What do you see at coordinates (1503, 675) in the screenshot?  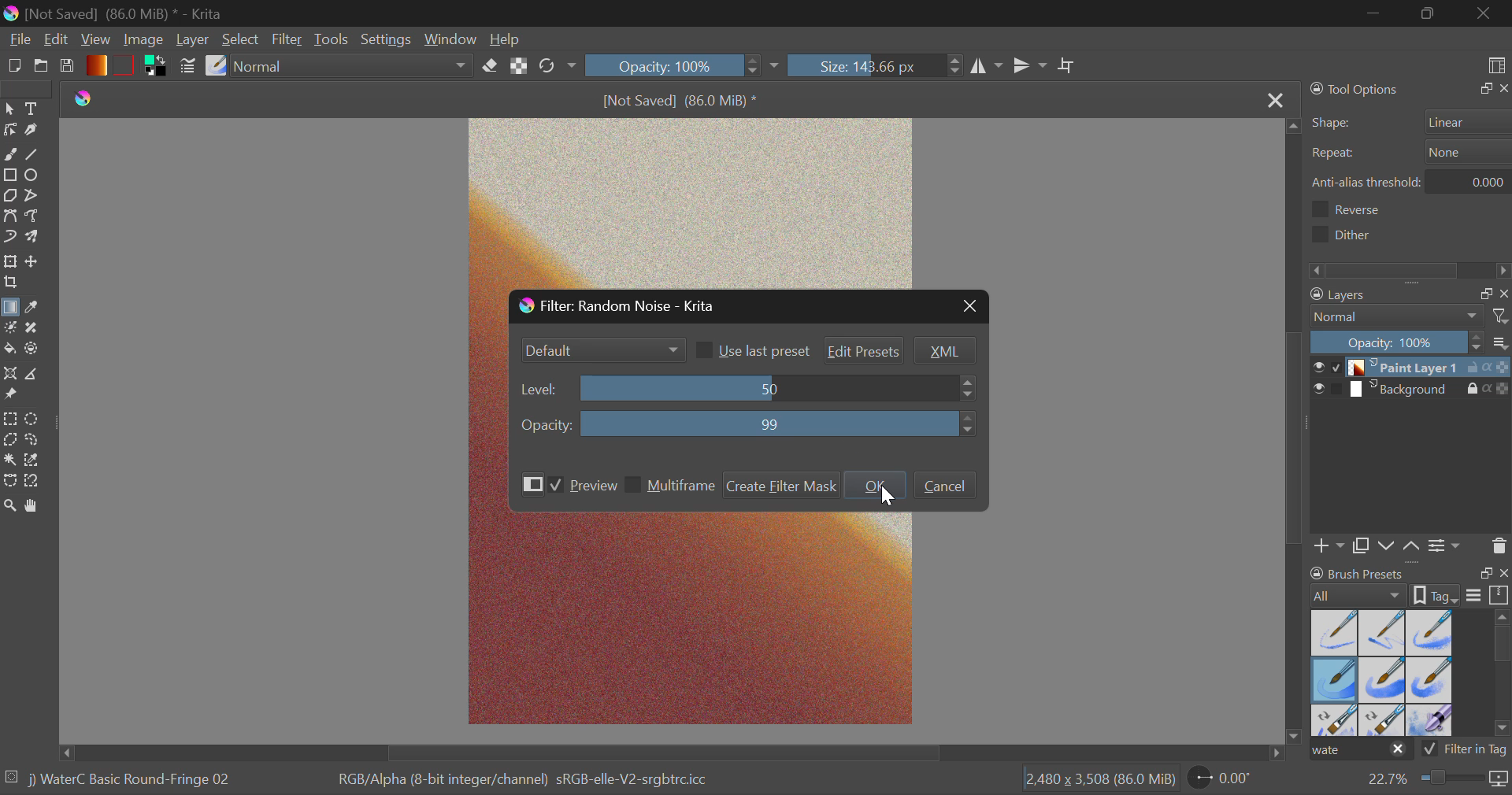 I see `horizontal scroll bar` at bounding box center [1503, 675].